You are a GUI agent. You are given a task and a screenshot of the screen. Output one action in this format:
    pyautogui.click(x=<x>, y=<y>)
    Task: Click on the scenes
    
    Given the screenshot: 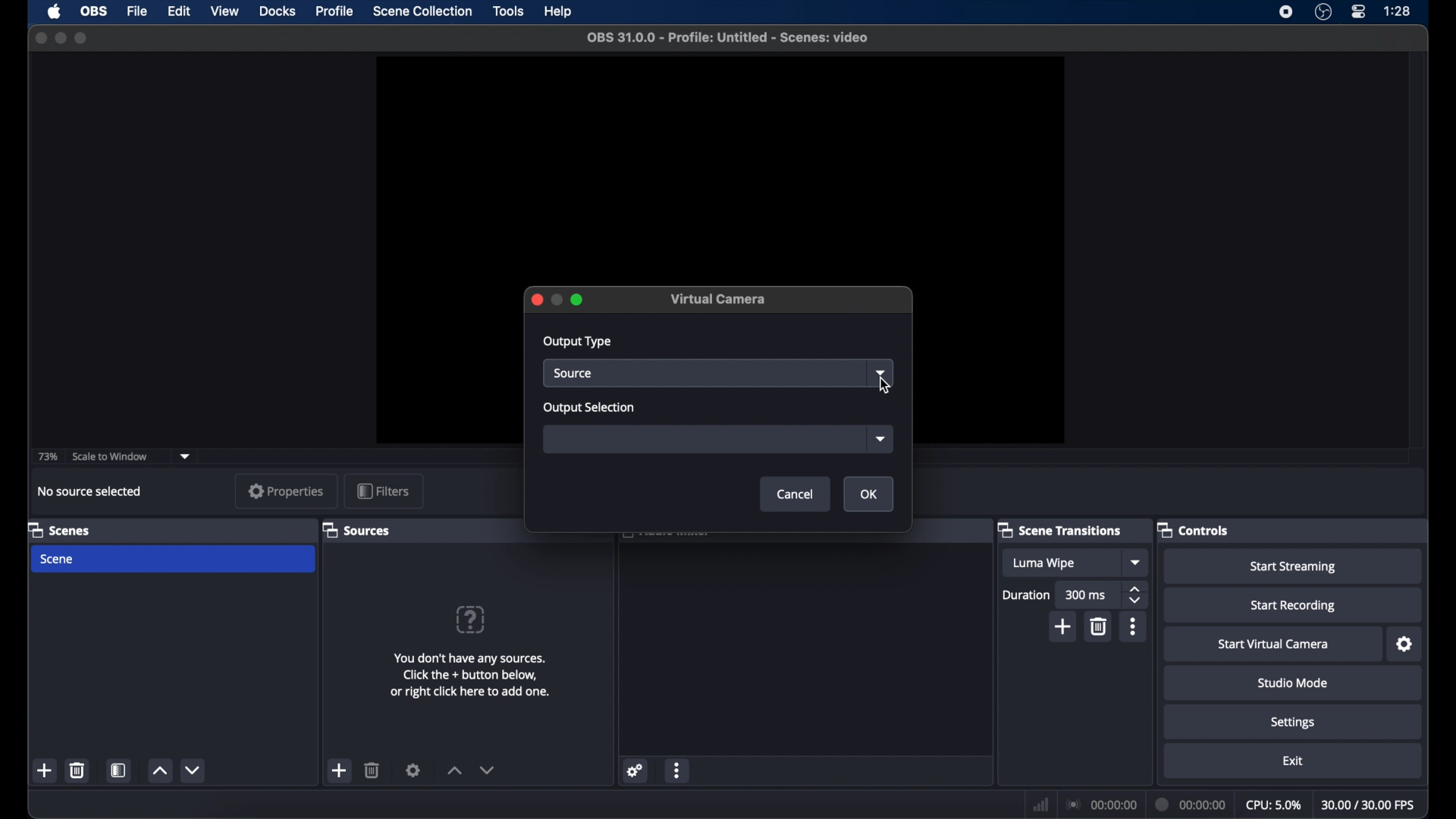 What is the action you would take?
    pyautogui.click(x=65, y=531)
    